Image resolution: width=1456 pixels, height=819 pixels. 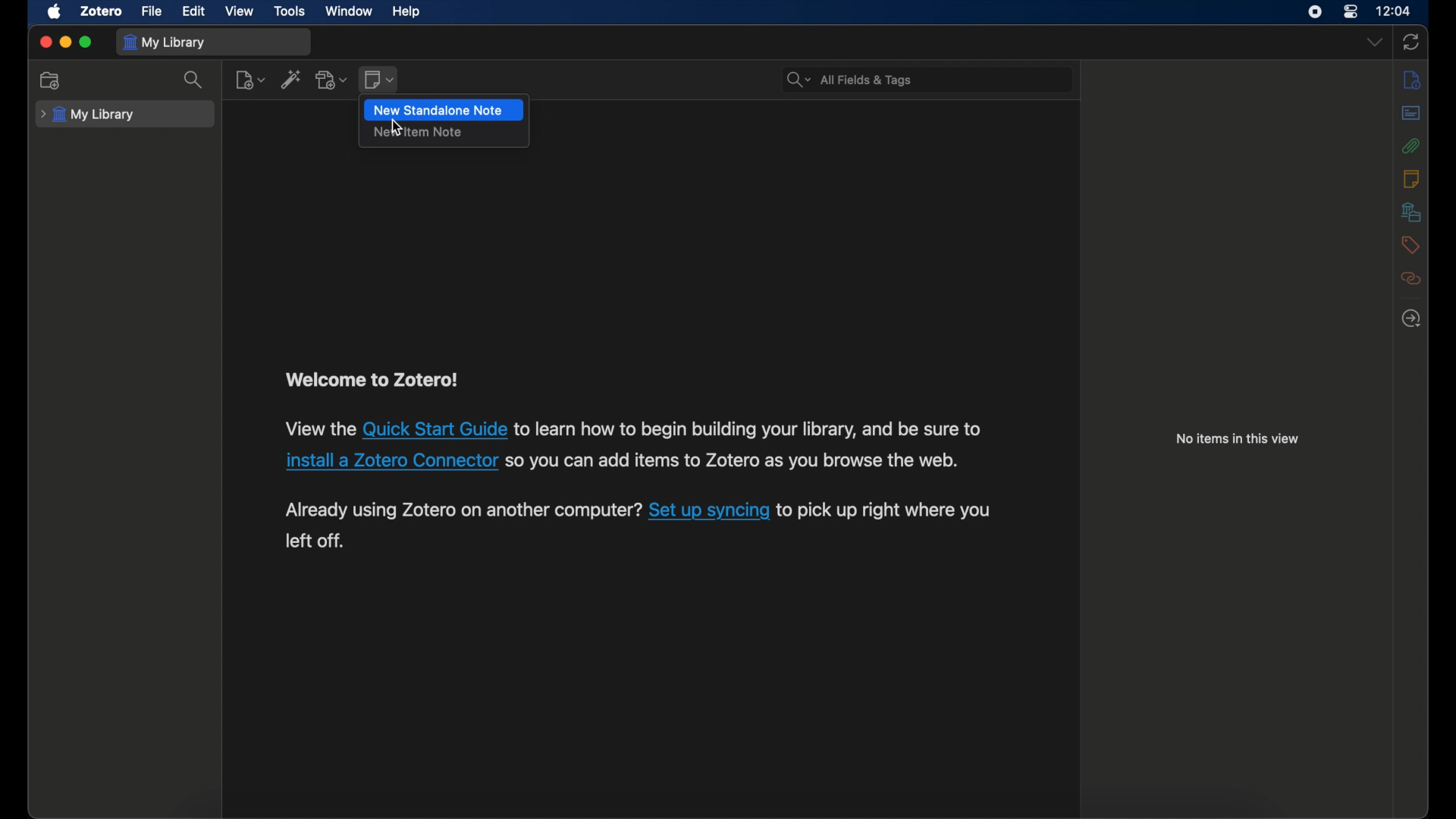 What do you see at coordinates (419, 133) in the screenshot?
I see `new item note` at bounding box center [419, 133].